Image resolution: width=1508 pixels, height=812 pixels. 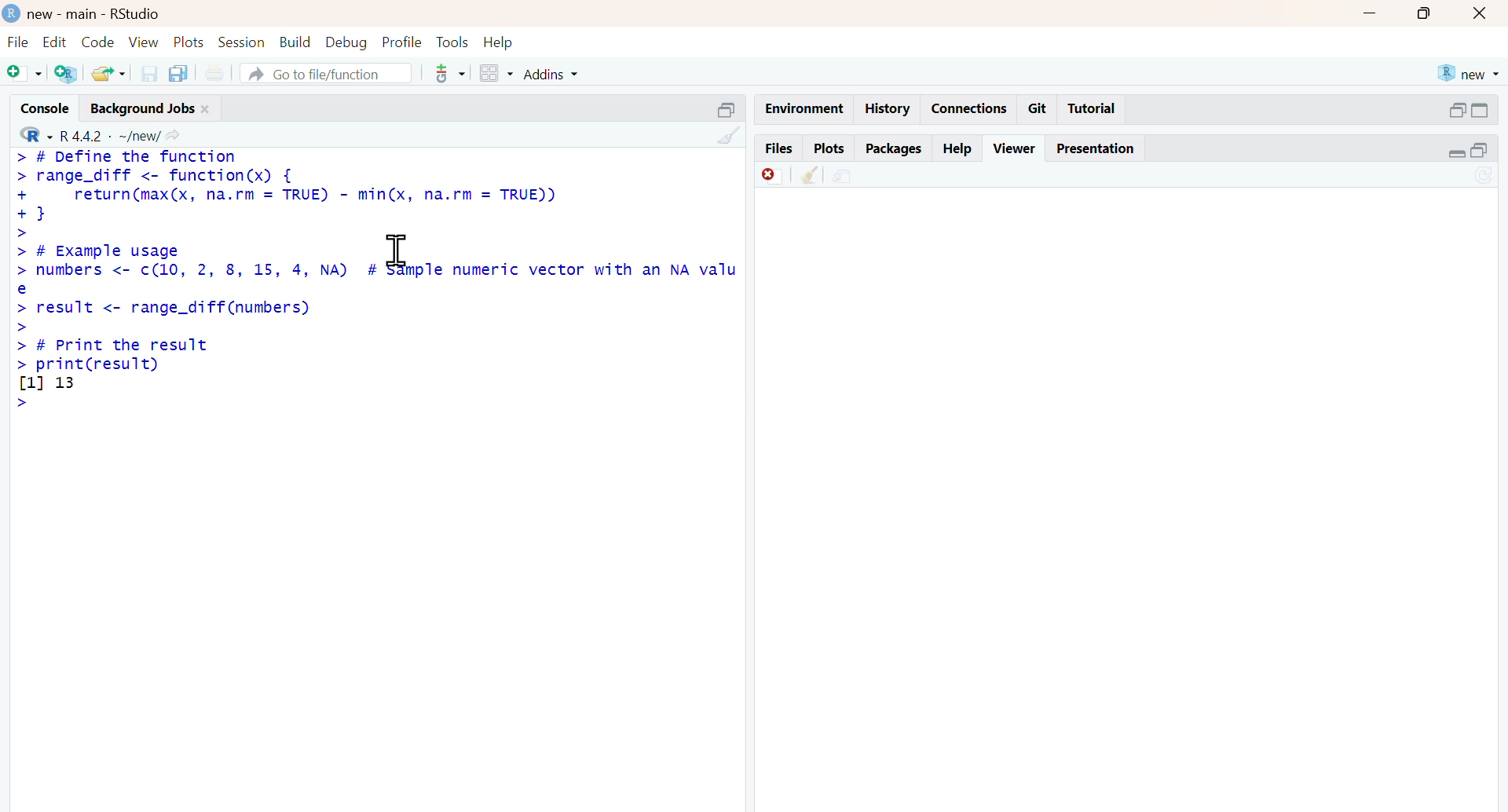 What do you see at coordinates (207, 110) in the screenshot?
I see `close` at bounding box center [207, 110].